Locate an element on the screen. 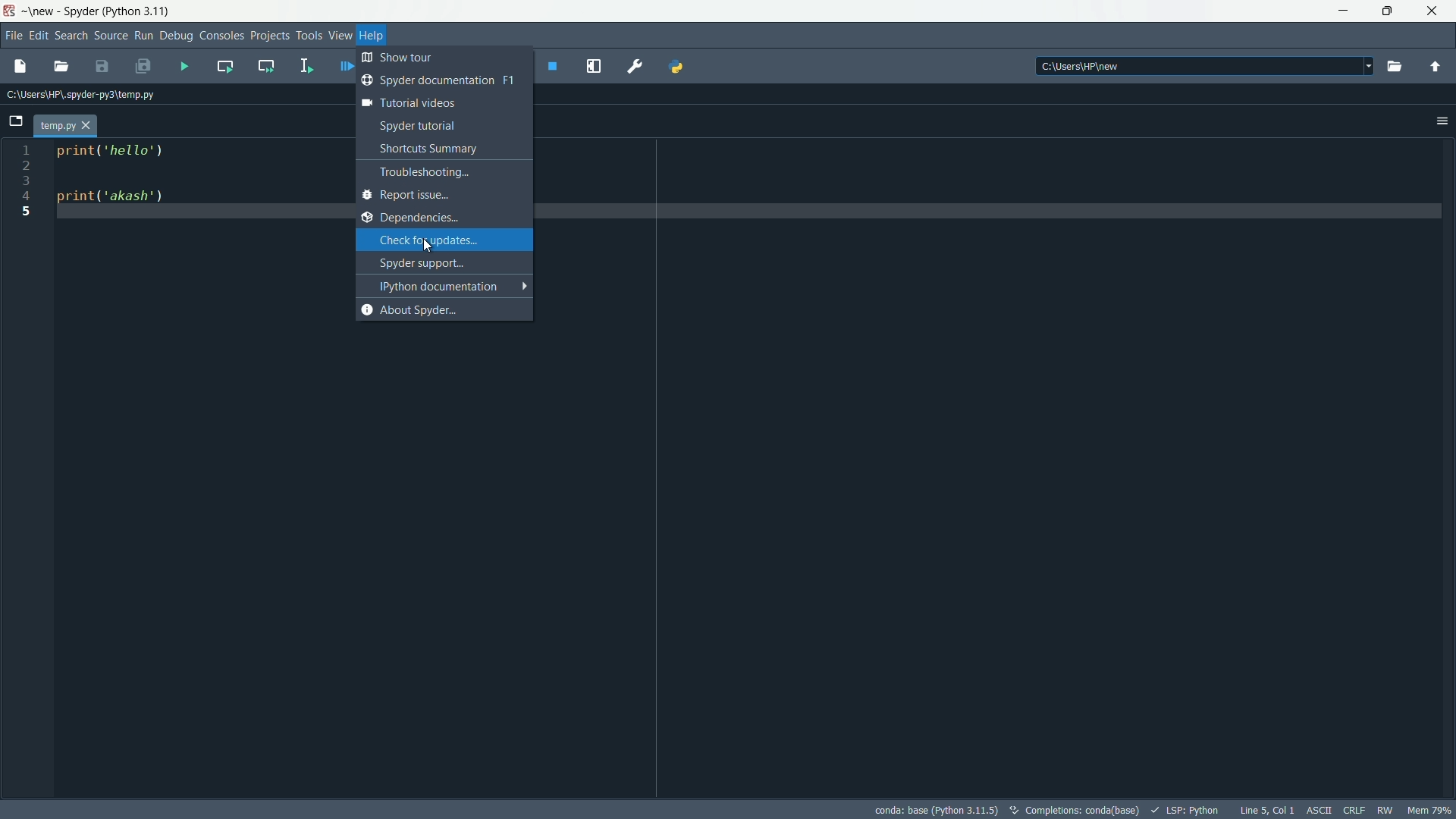 This screenshot has height=819, width=1456. debug file is located at coordinates (344, 66).